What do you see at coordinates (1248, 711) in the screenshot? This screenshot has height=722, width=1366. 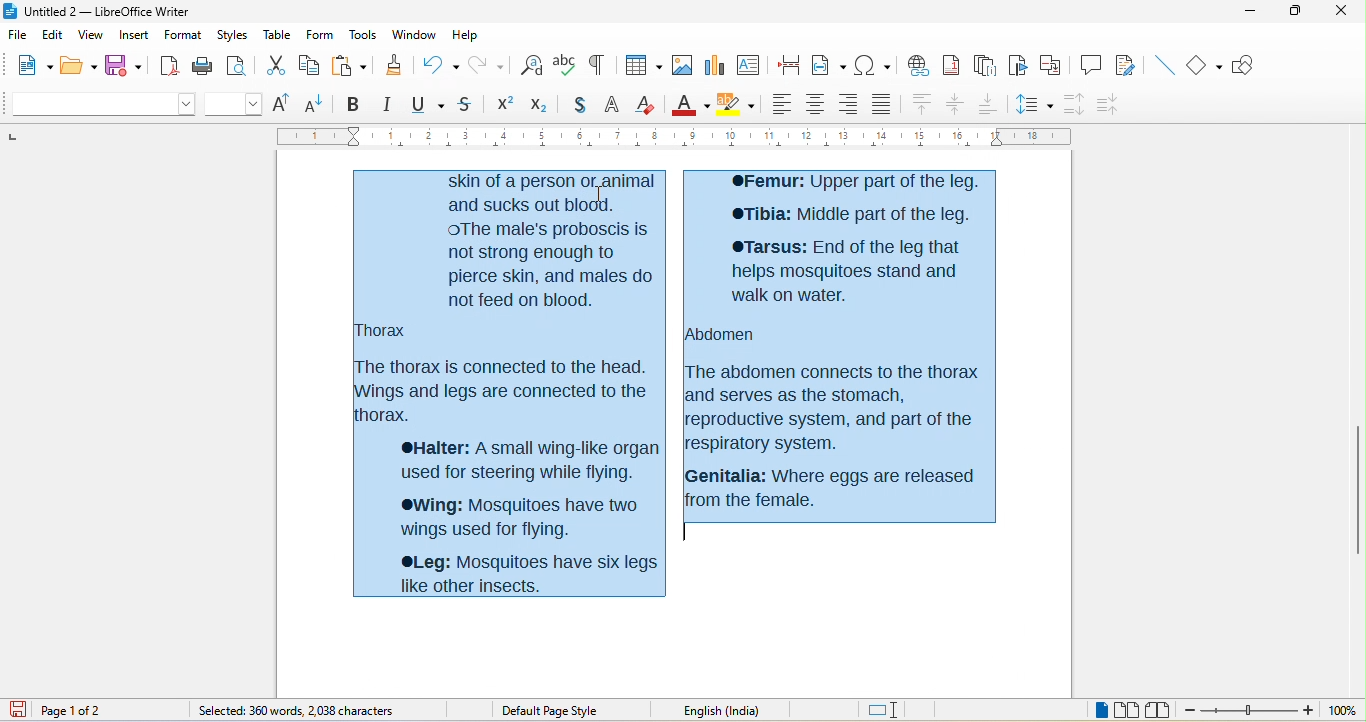 I see `zoom` at bounding box center [1248, 711].